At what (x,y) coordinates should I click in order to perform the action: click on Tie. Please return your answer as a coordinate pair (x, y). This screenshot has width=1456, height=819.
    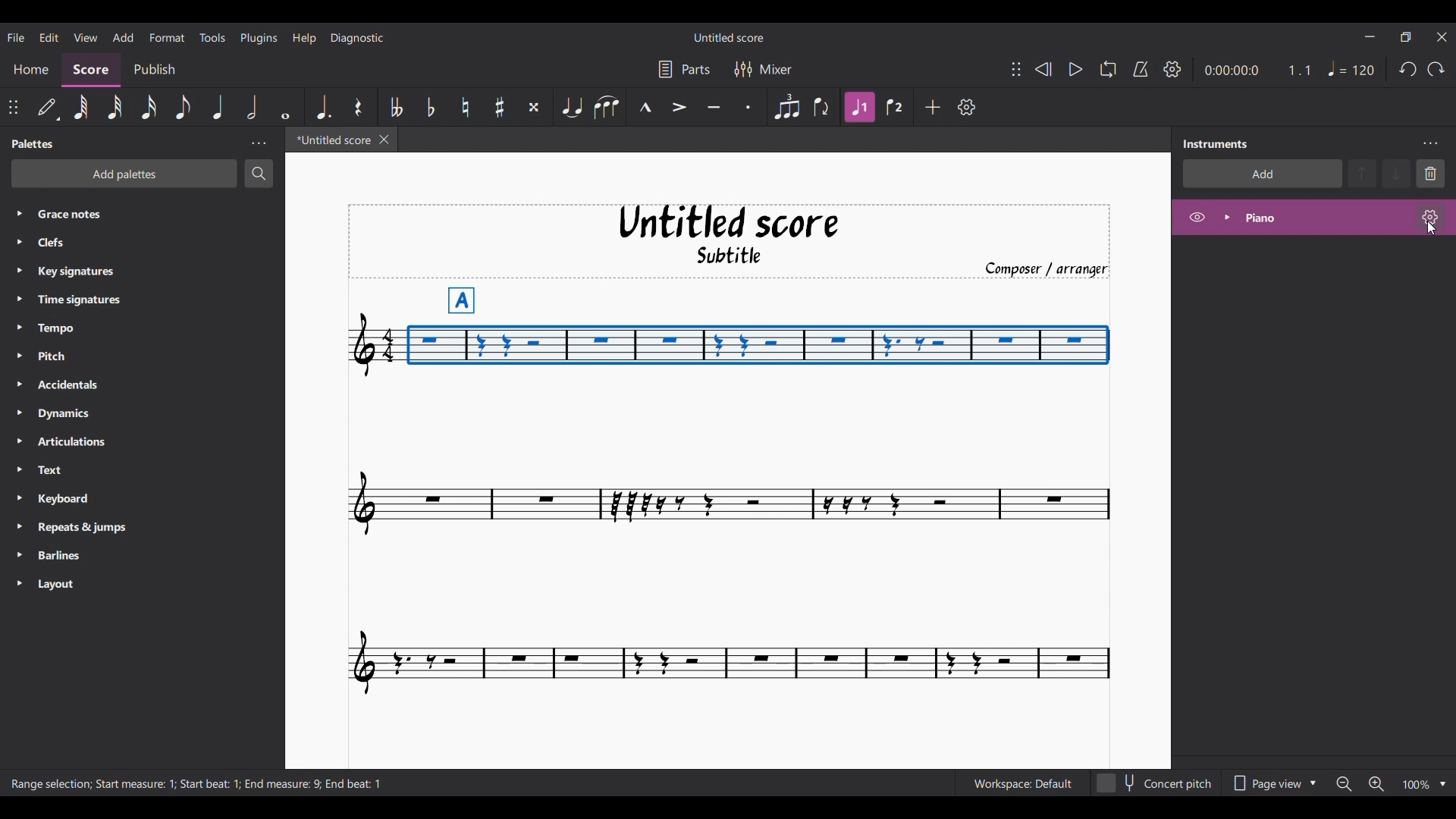
    Looking at the image, I should click on (571, 106).